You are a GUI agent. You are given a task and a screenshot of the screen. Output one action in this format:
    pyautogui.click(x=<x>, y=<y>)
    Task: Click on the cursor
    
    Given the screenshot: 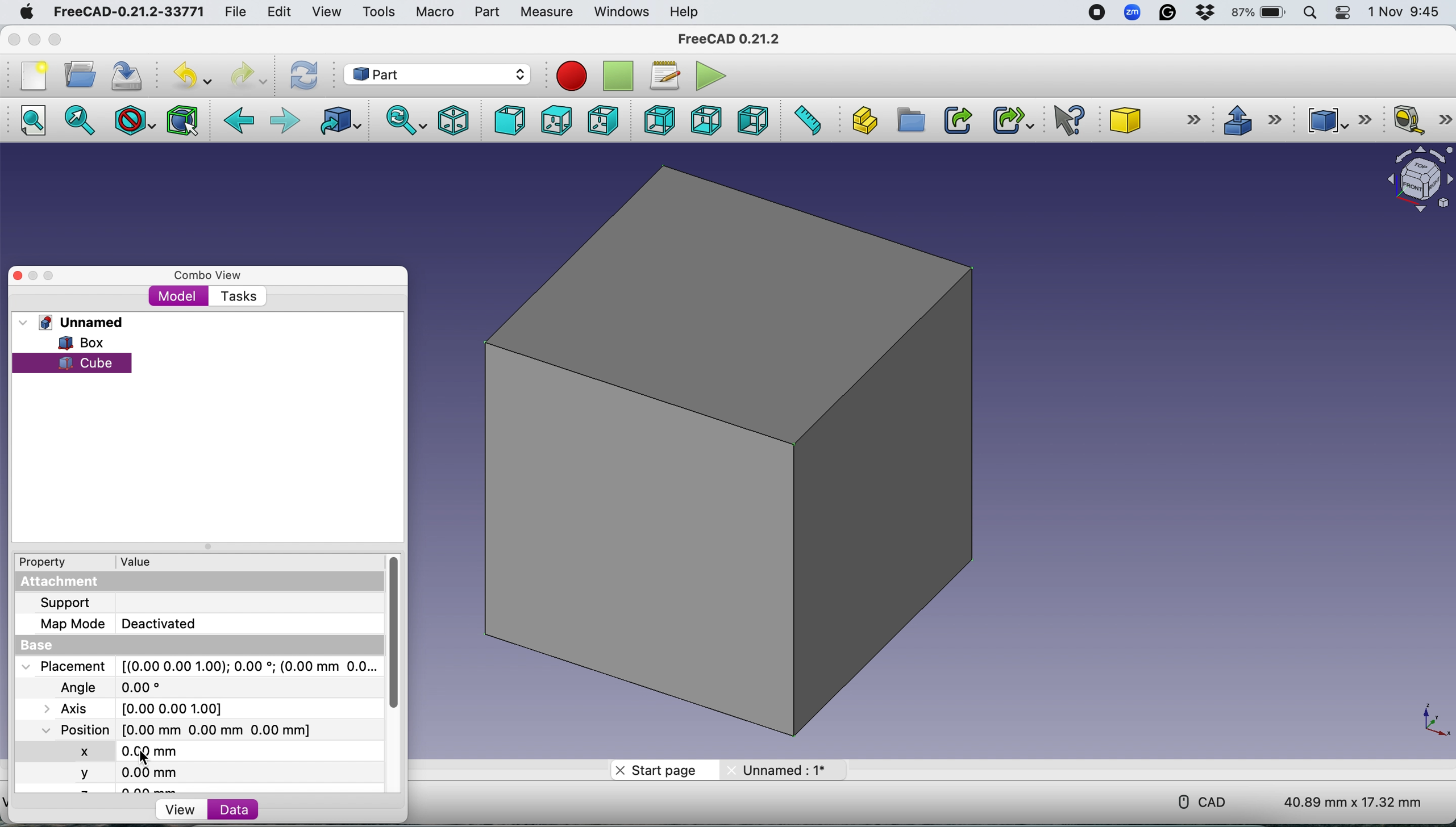 What is the action you would take?
    pyautogui.click(x=147, y=759)
    